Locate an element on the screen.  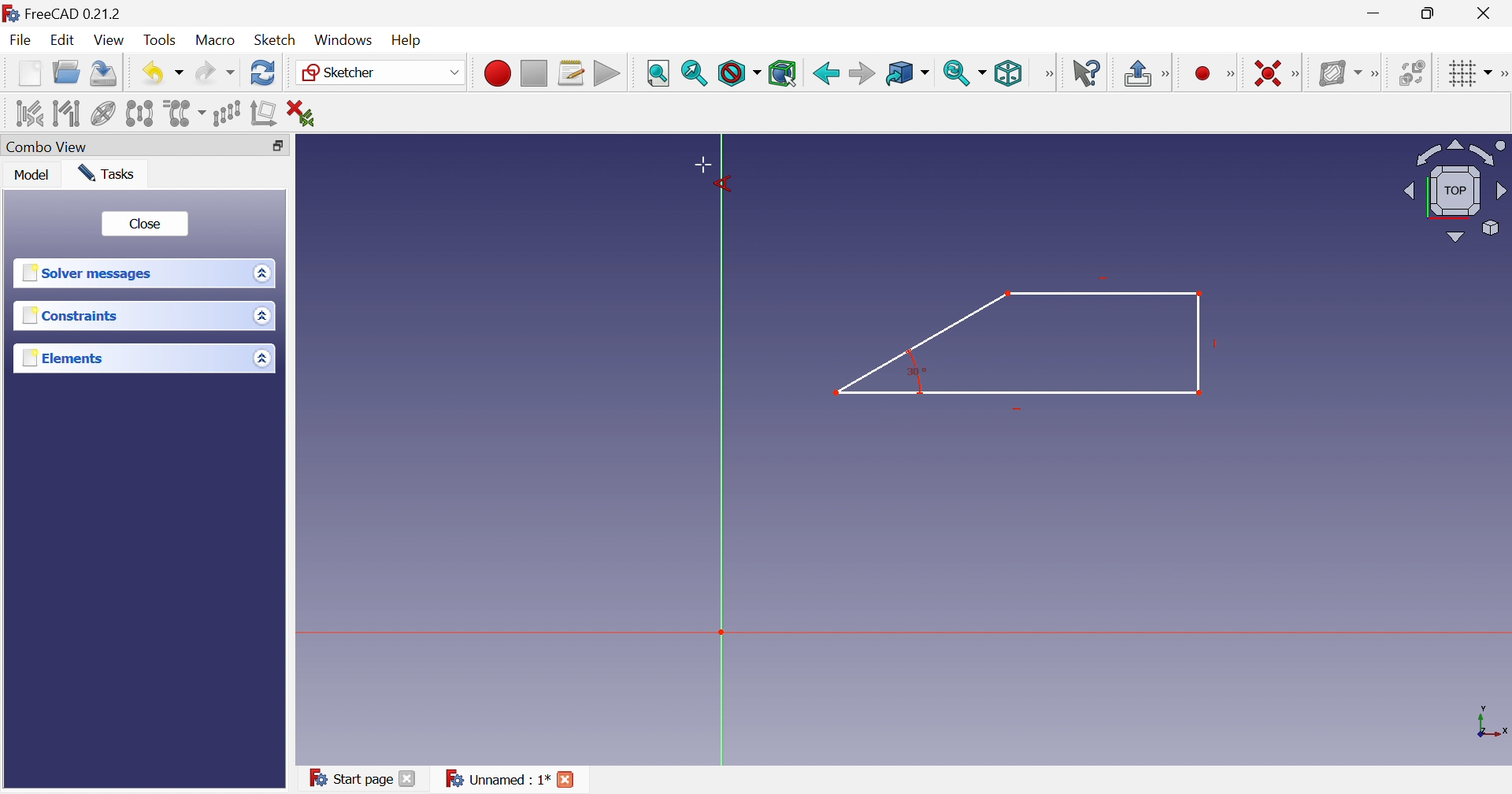
Drop Down is located at coordinates (452, 72).